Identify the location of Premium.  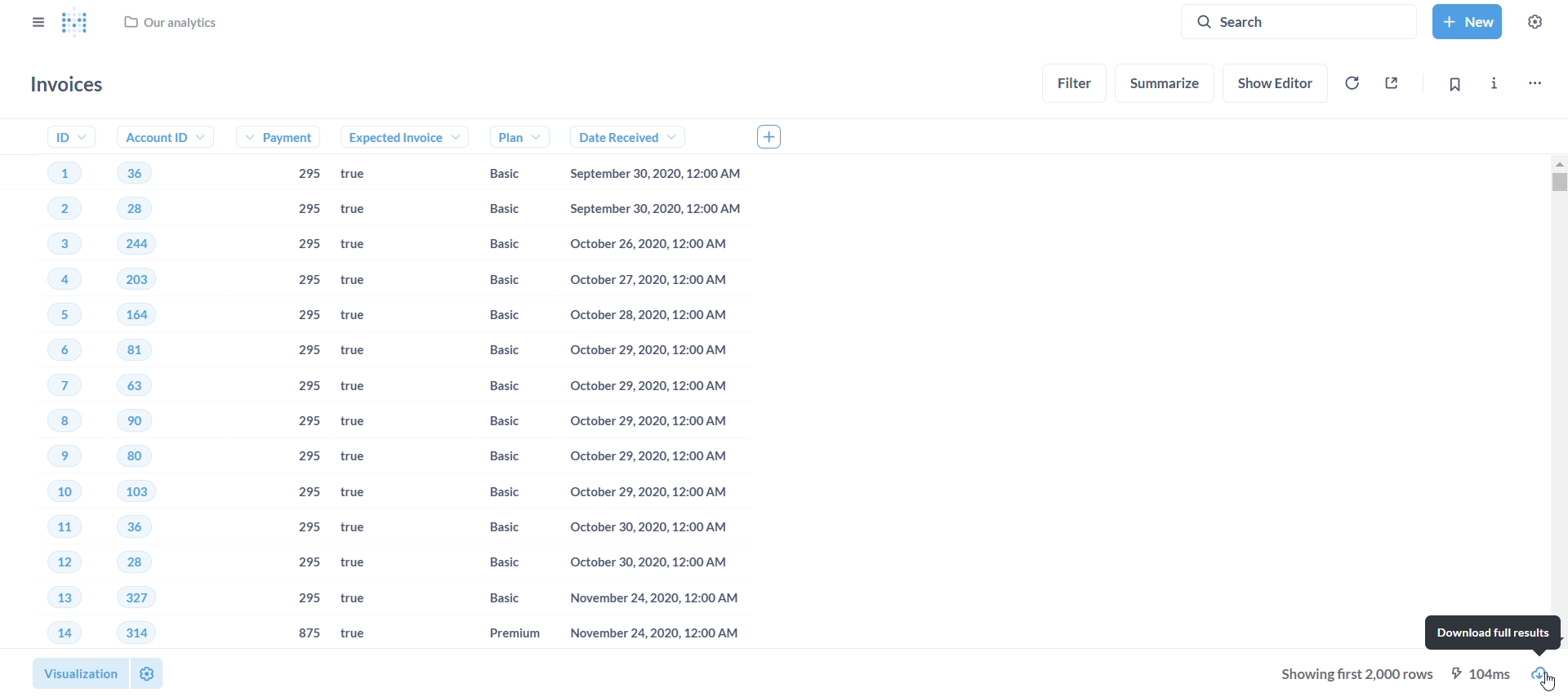
(498, 633).